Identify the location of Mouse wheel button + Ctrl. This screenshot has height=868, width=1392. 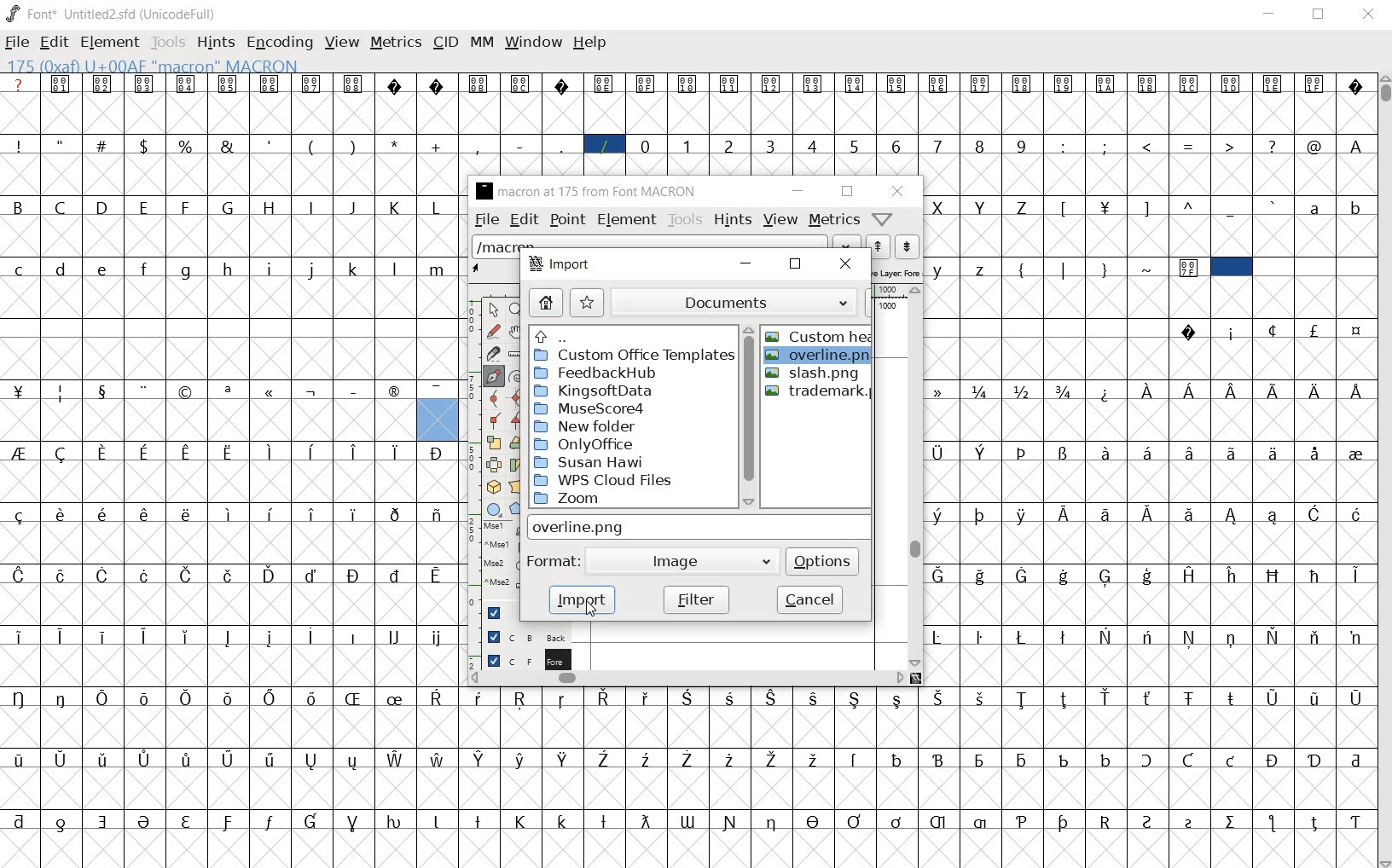
(502, 584).